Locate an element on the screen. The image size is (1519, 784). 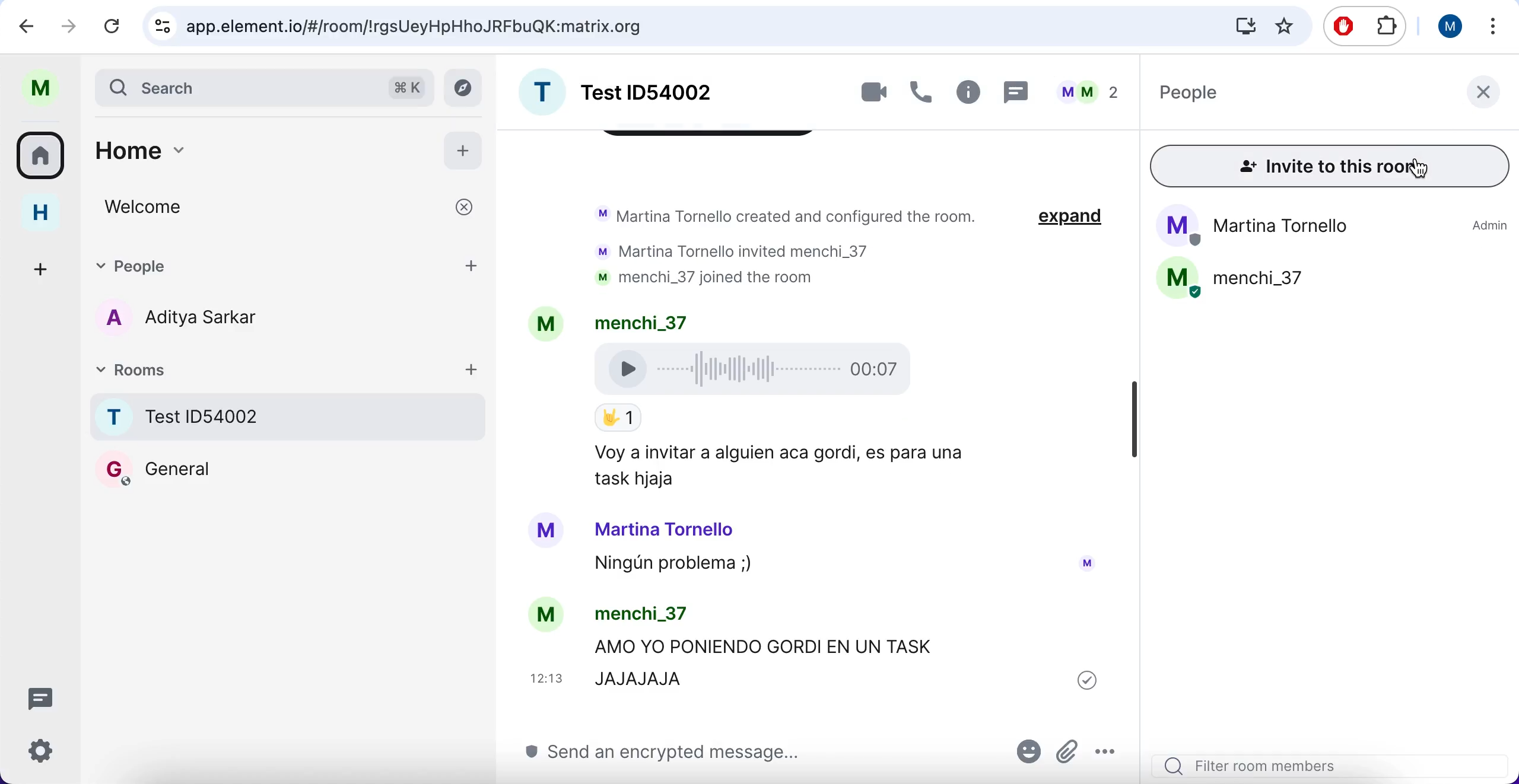
Voy a Invitar a alguien aca gordi, es para una
task hjaja is located at coordinates (787, 467).